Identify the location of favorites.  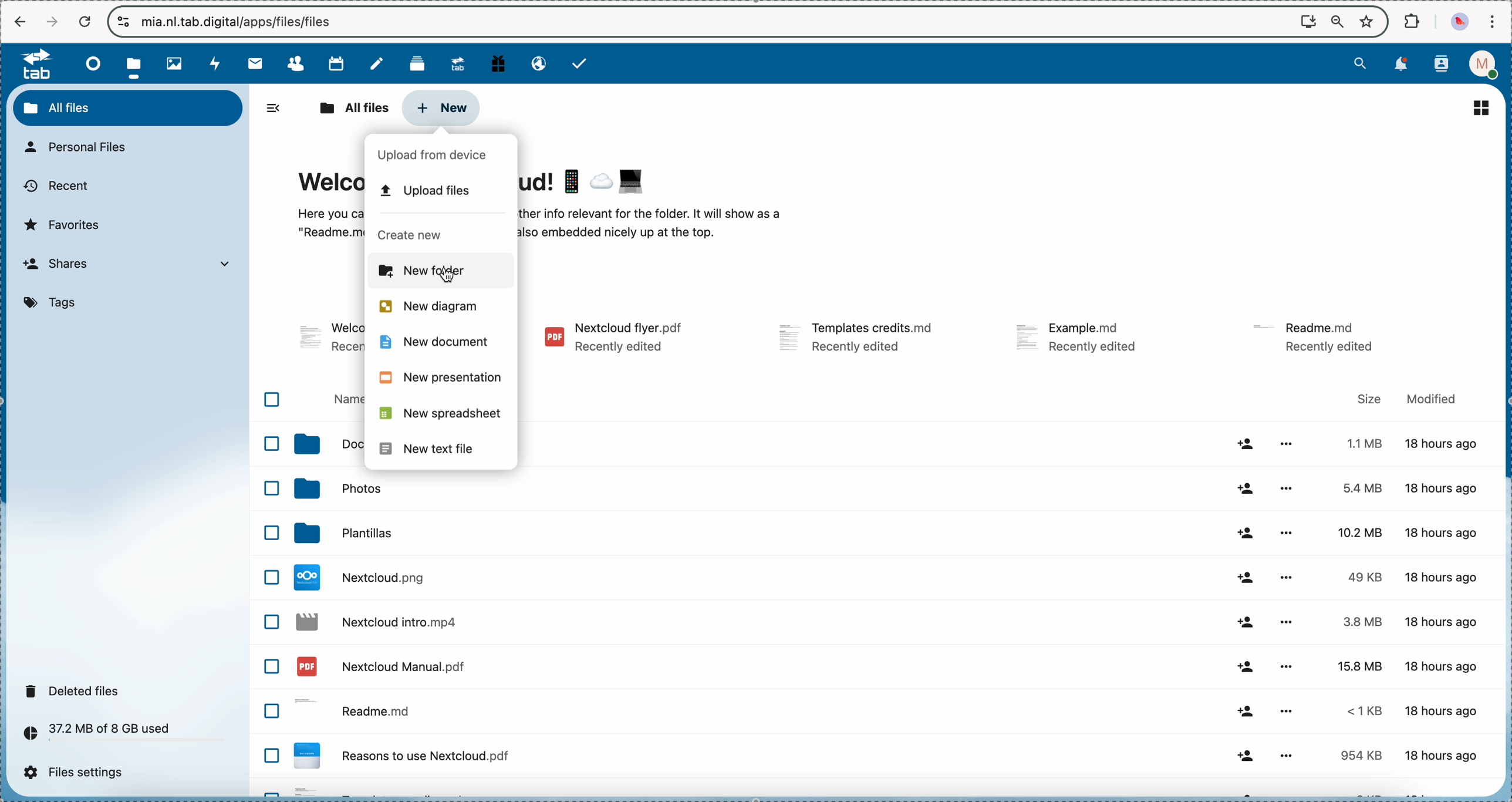
(1369, 21).